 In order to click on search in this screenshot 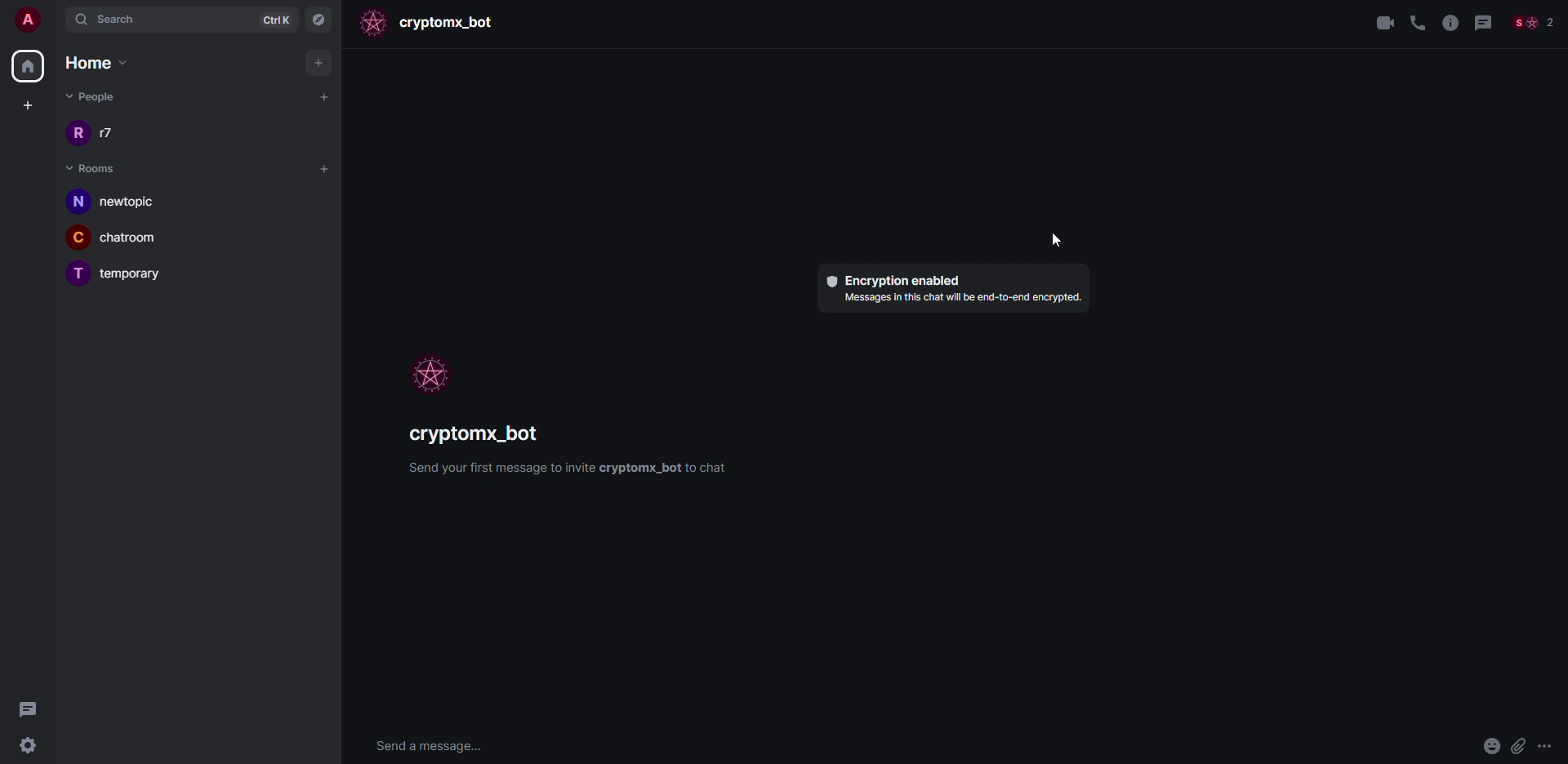, I will do `click(114, 20)`.